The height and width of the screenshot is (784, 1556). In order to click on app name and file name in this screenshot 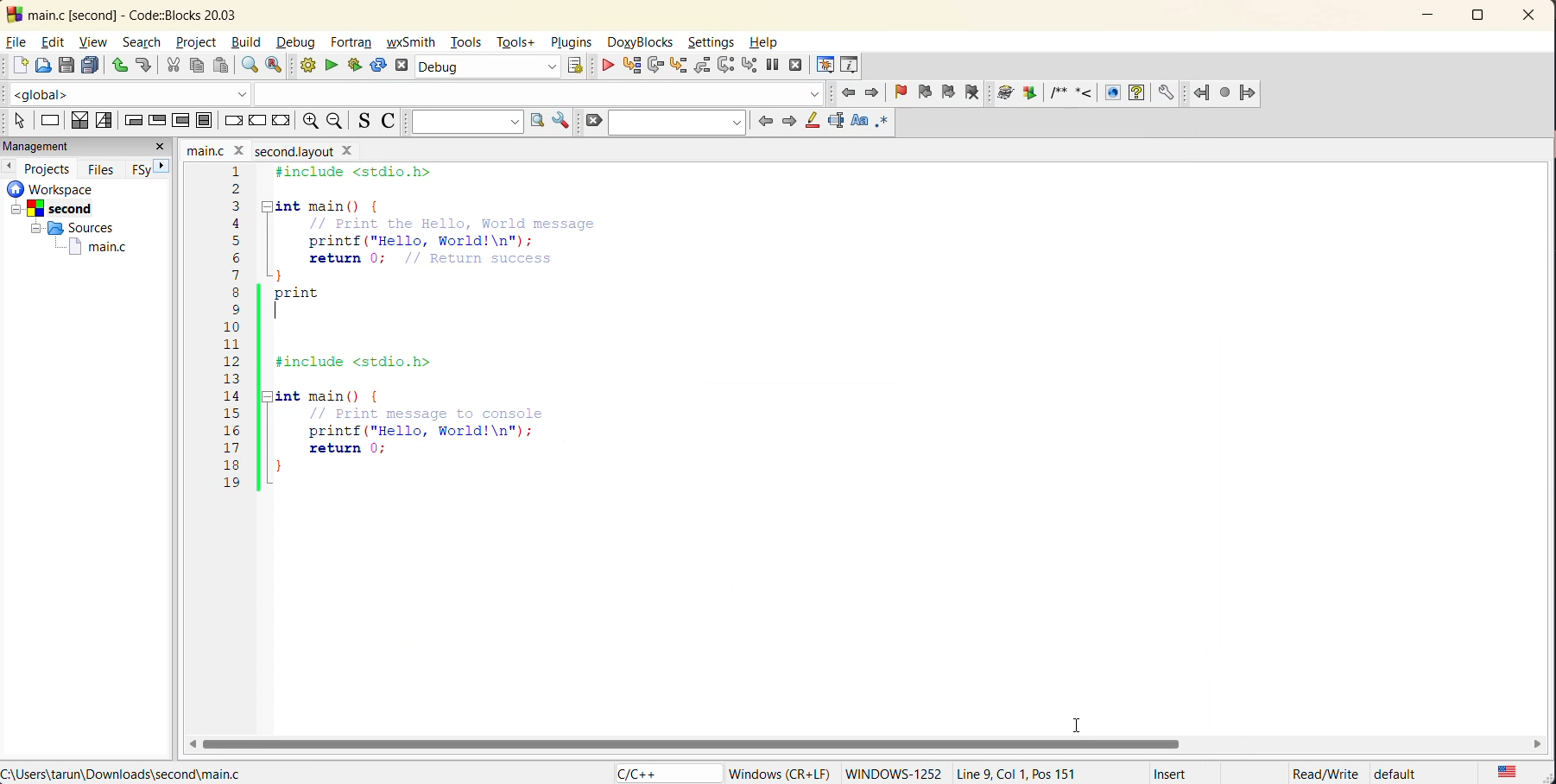, I will do `click(154, 14)`.